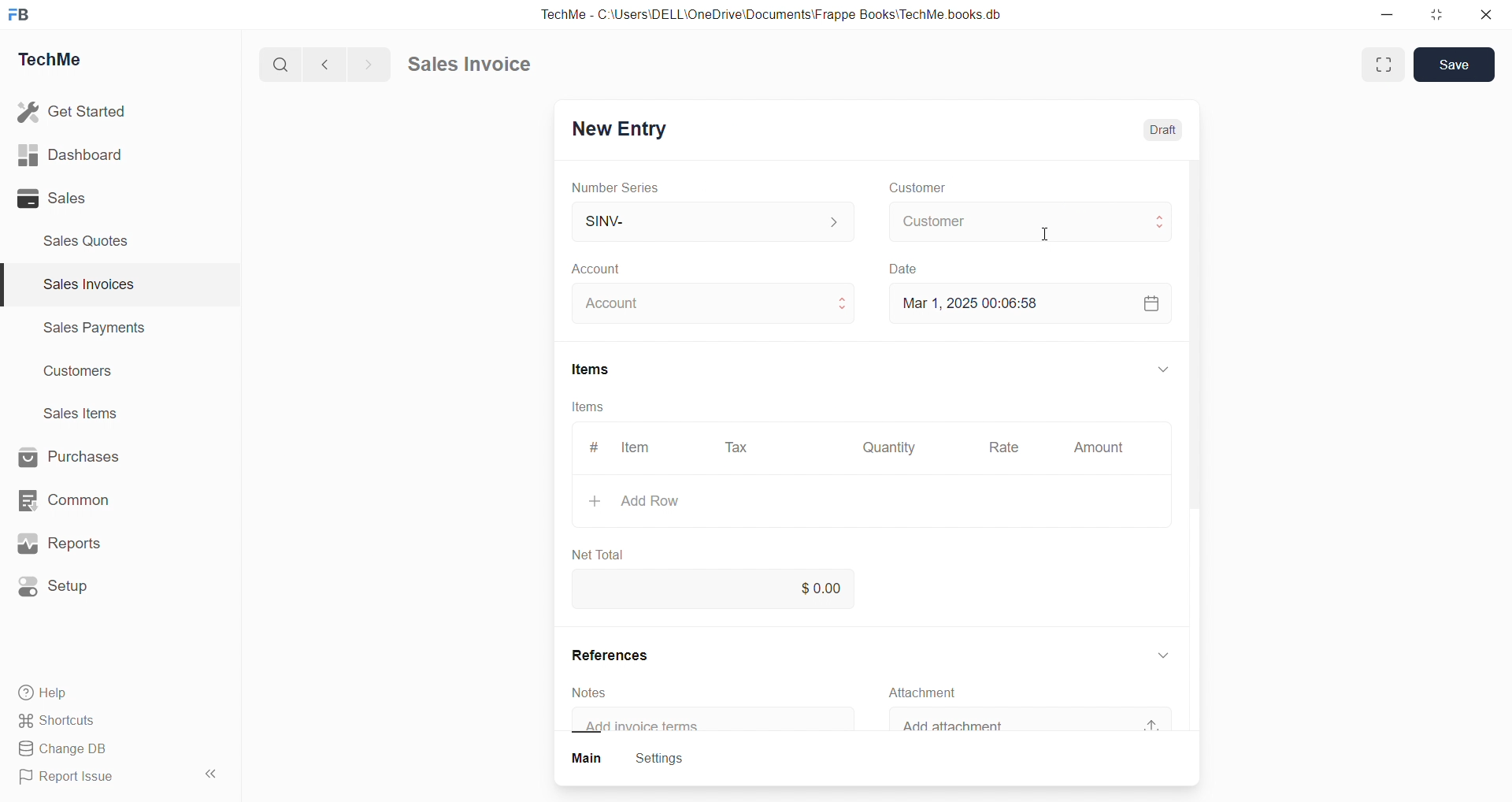 The height and width of the screenshot is (802, 1512). What do you see at coordinates (1381, 64) in the screenshot?
I see `Full width` at bounding box center [1381, 64].